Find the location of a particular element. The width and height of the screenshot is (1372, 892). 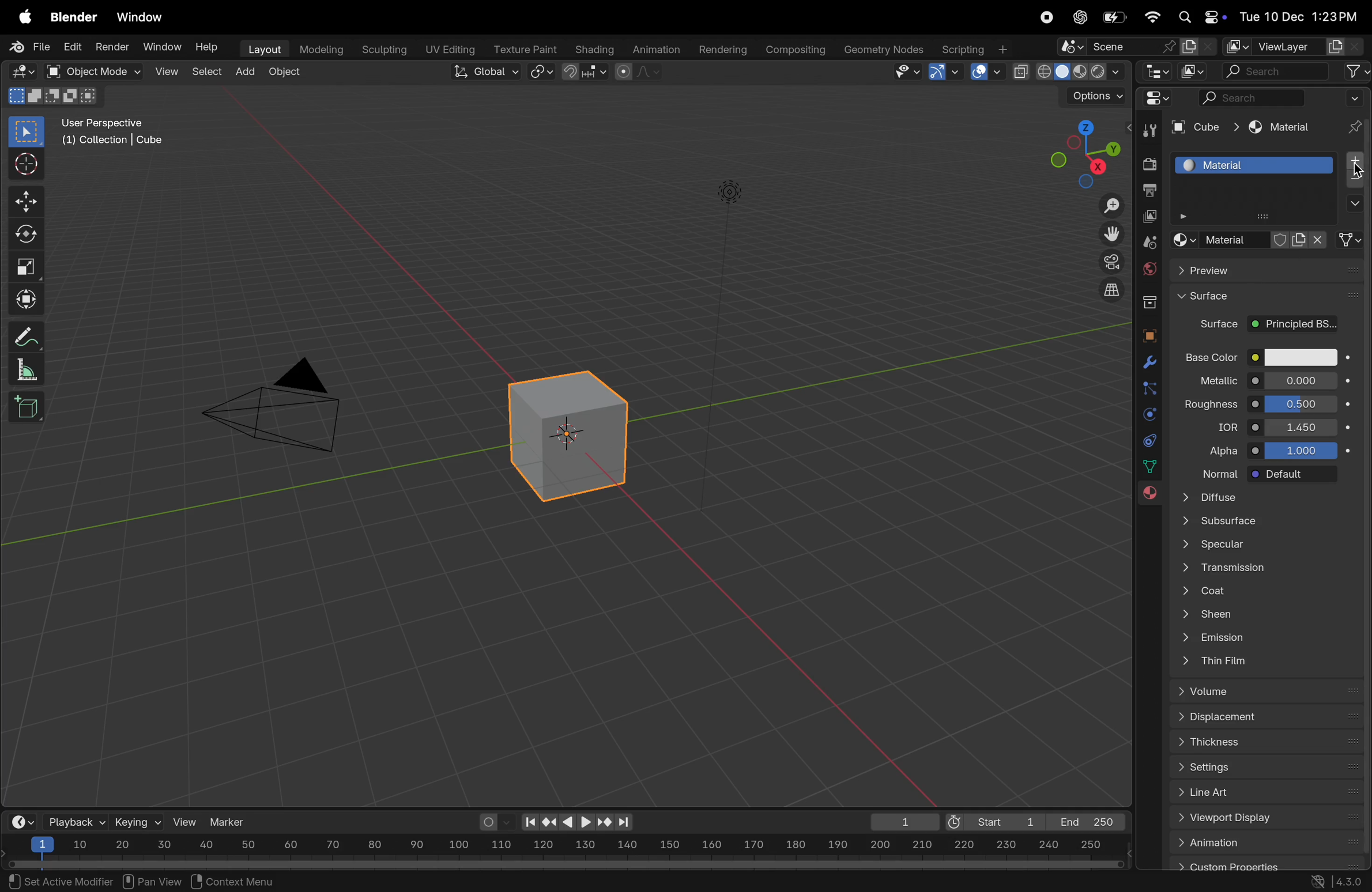

blender is located at coordinates (74, 18).